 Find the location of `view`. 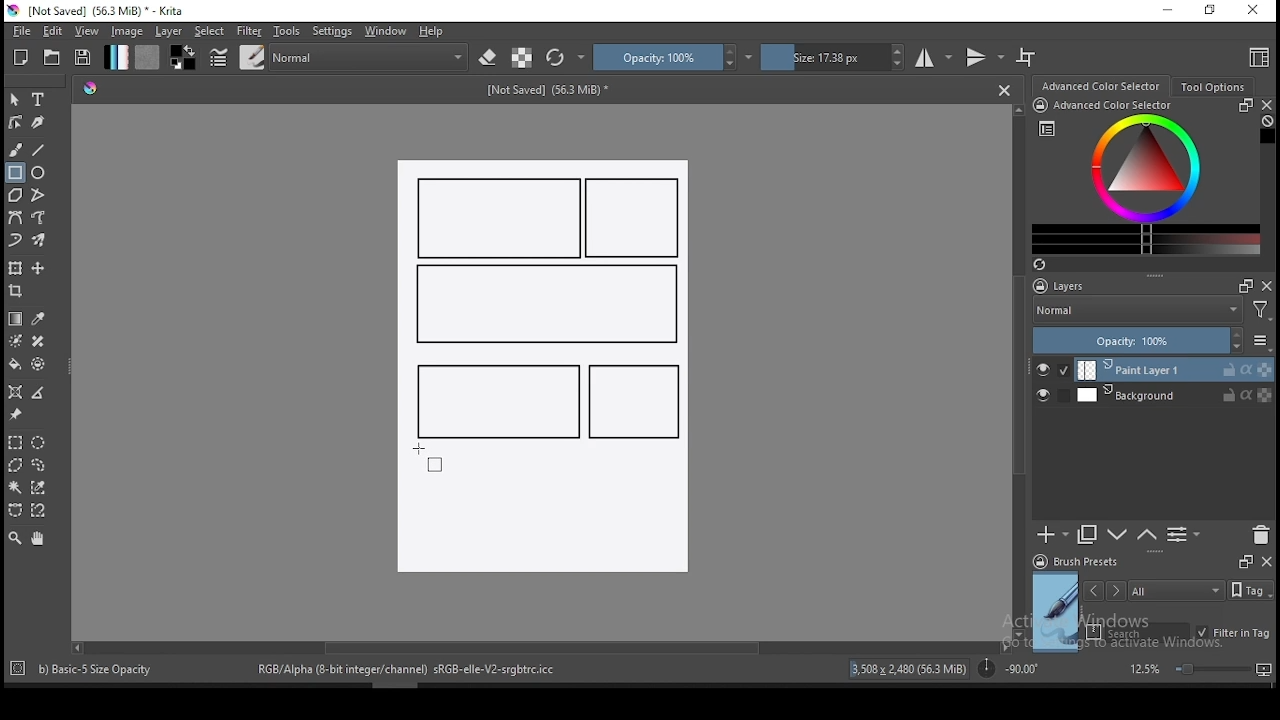

view is located at coordinates (86, 31).